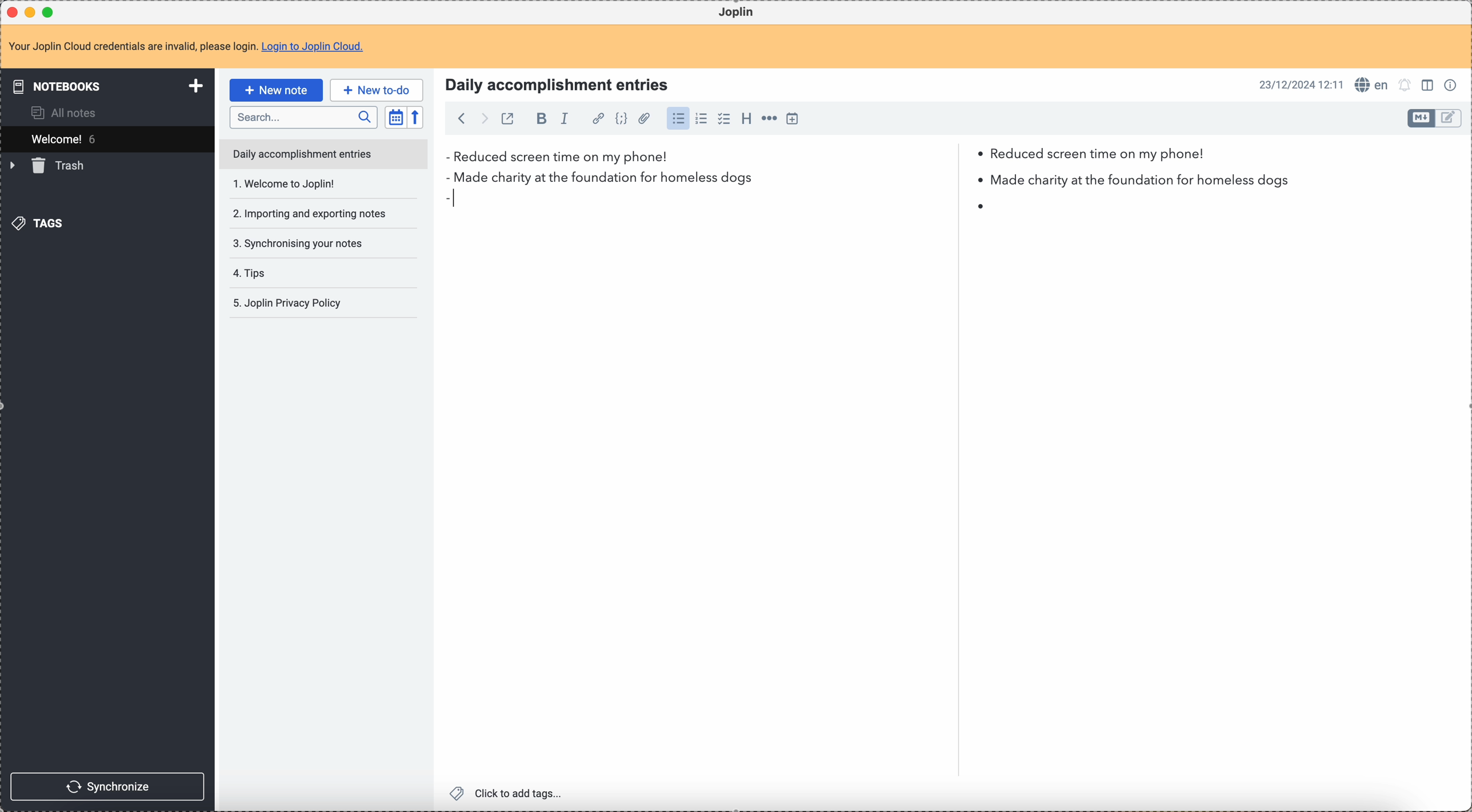 Image resolution: width=1472 pixels, height=812 pixels. I want to click on set notifications, so click(1406, 86).